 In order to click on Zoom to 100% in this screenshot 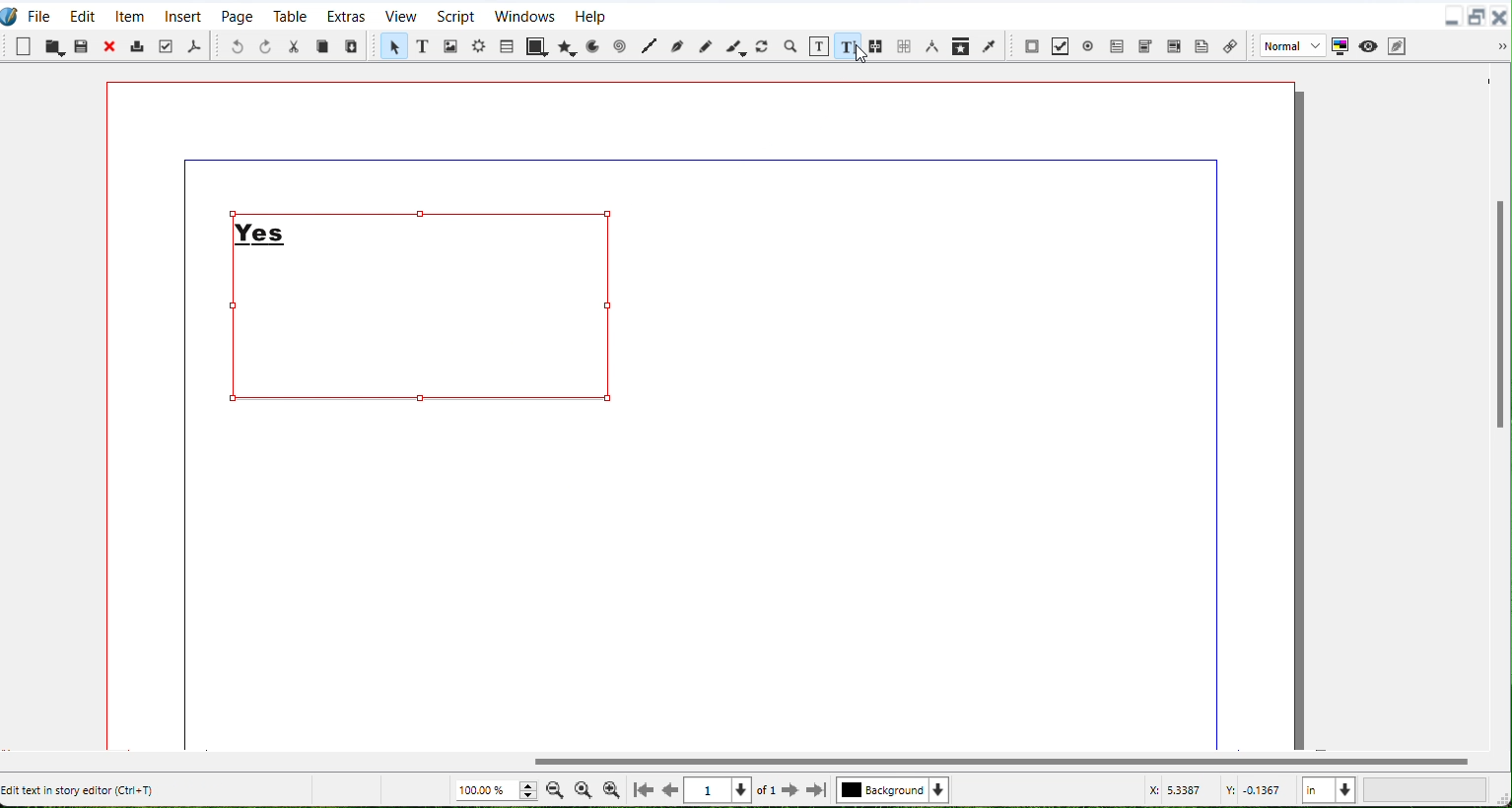, I will do `click(583, 788)`.